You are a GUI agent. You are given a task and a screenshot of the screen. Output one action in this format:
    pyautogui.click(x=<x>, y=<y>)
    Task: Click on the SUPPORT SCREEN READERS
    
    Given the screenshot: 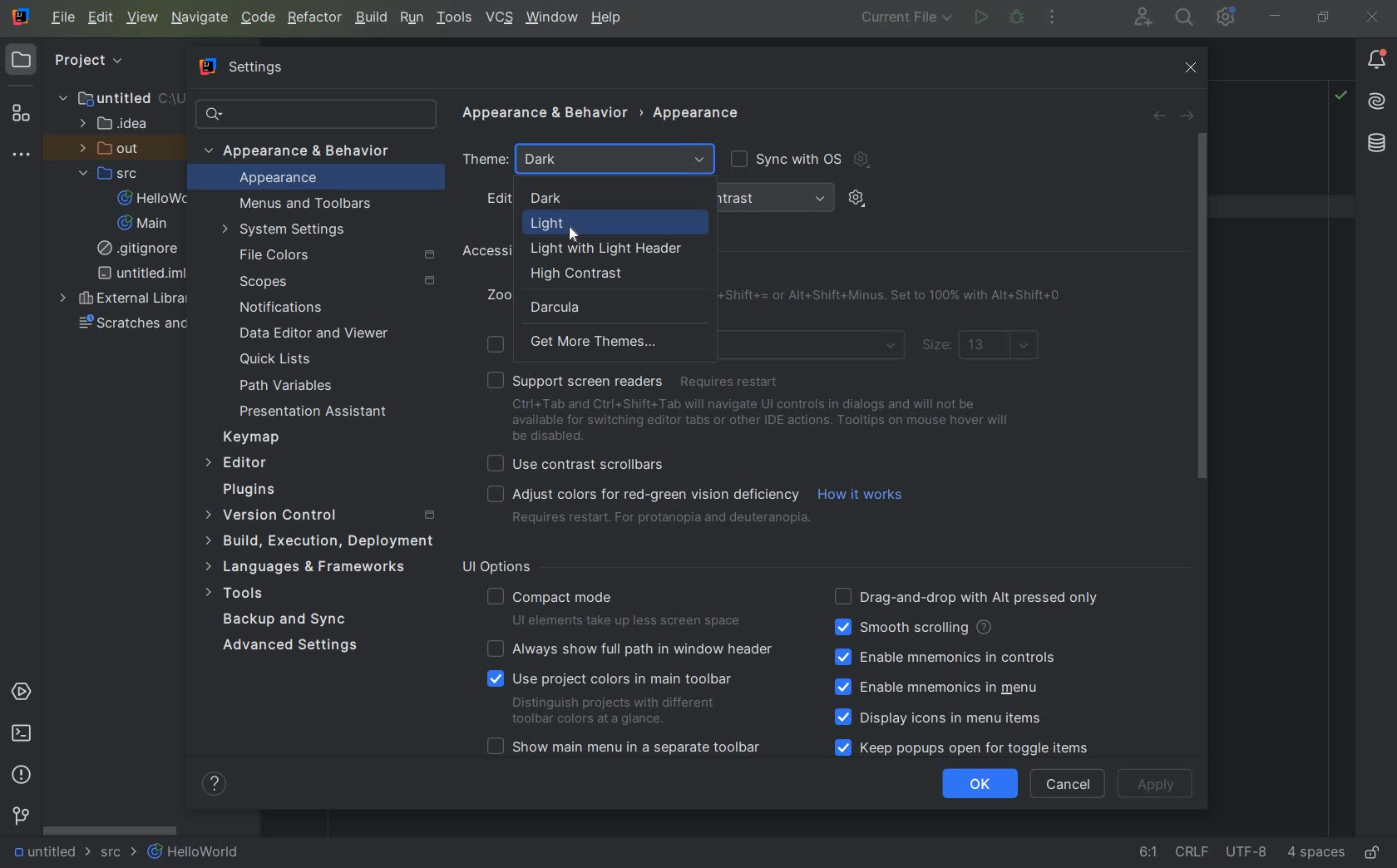 What is the action you would take?
    pyautogui.click(x=639, y=381)
    